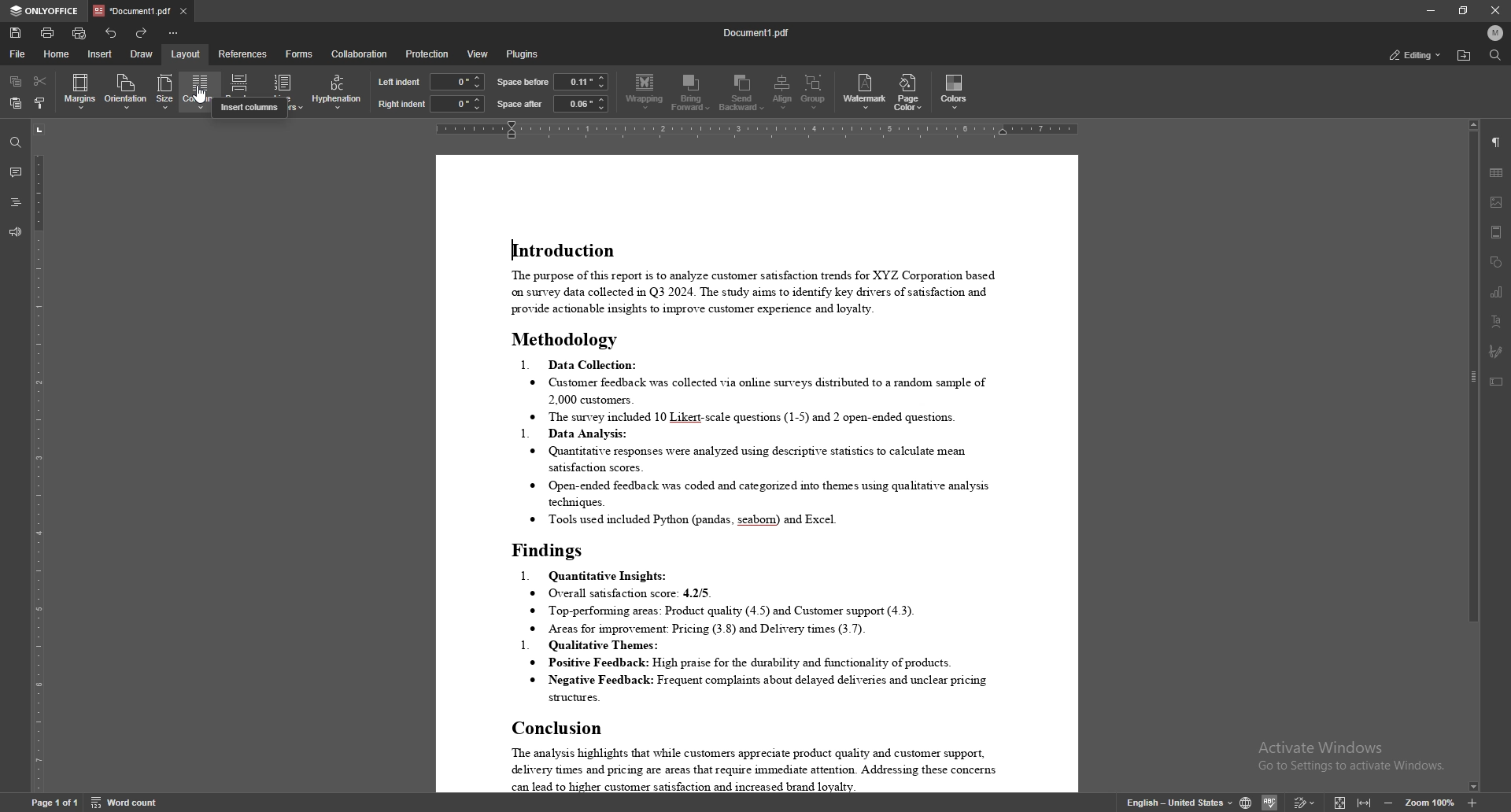 The width and height of the screenshot is (1511, 812). I want to click on wrapping, so click(645, 93).